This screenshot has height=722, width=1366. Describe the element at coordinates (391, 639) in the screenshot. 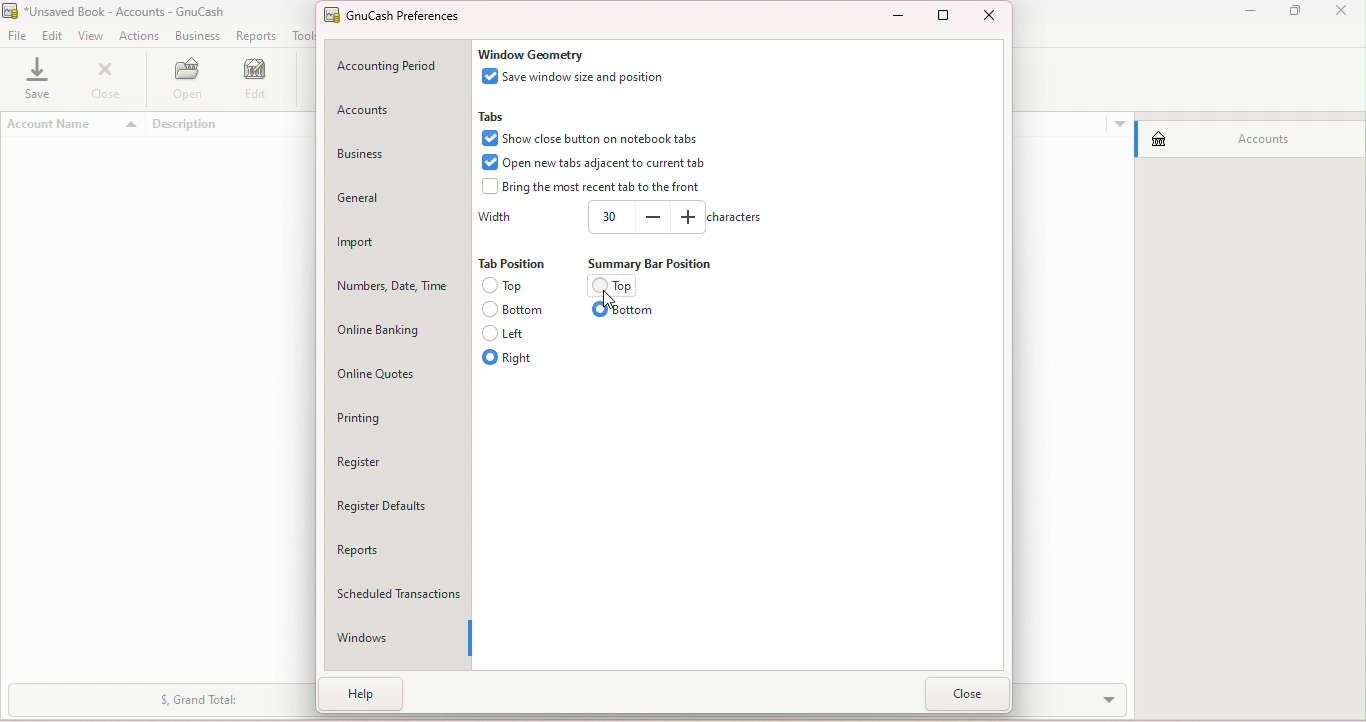

I see `Windows` at that location.